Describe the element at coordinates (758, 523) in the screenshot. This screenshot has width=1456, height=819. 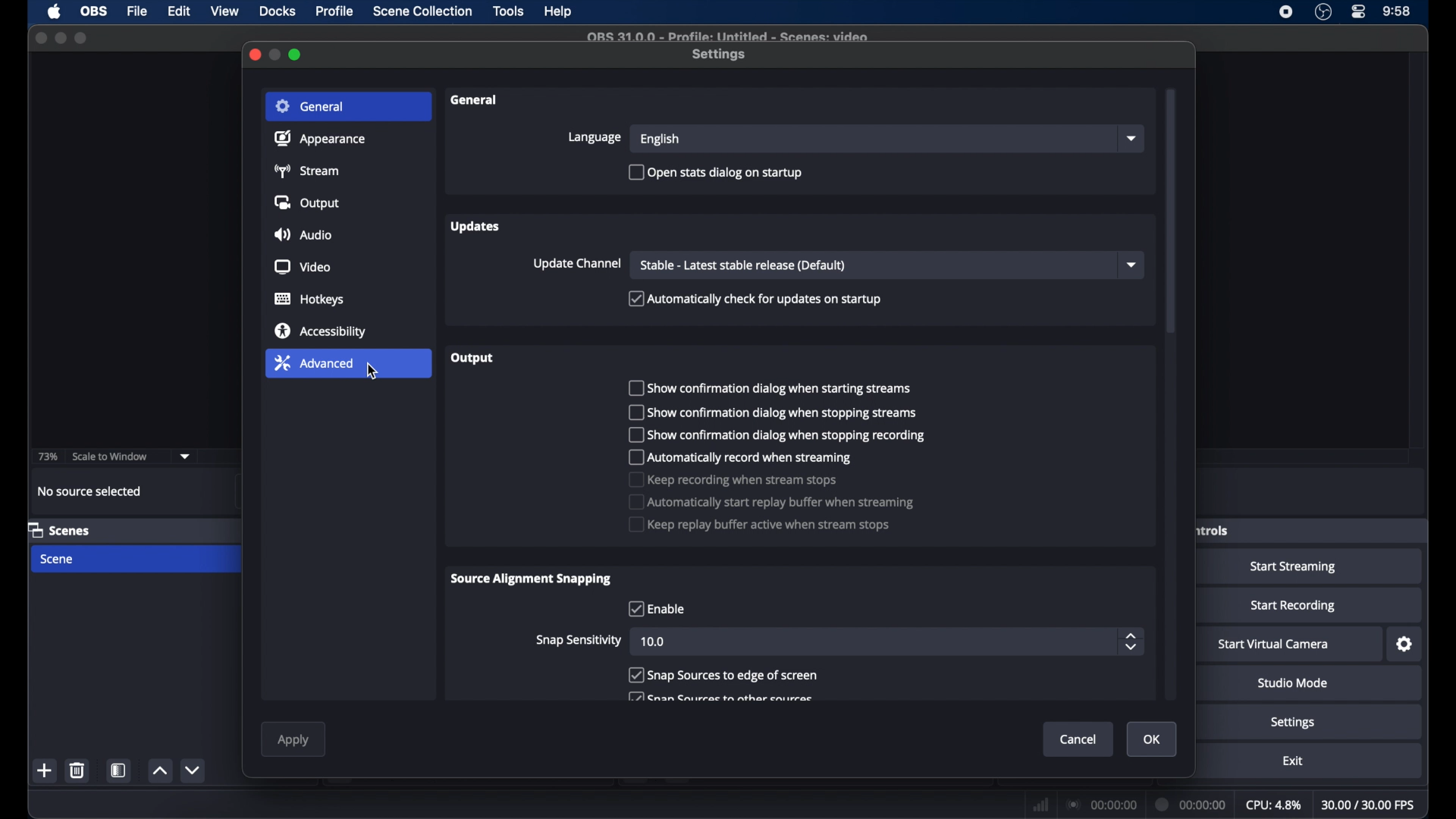
I see `checkbox` at that location.